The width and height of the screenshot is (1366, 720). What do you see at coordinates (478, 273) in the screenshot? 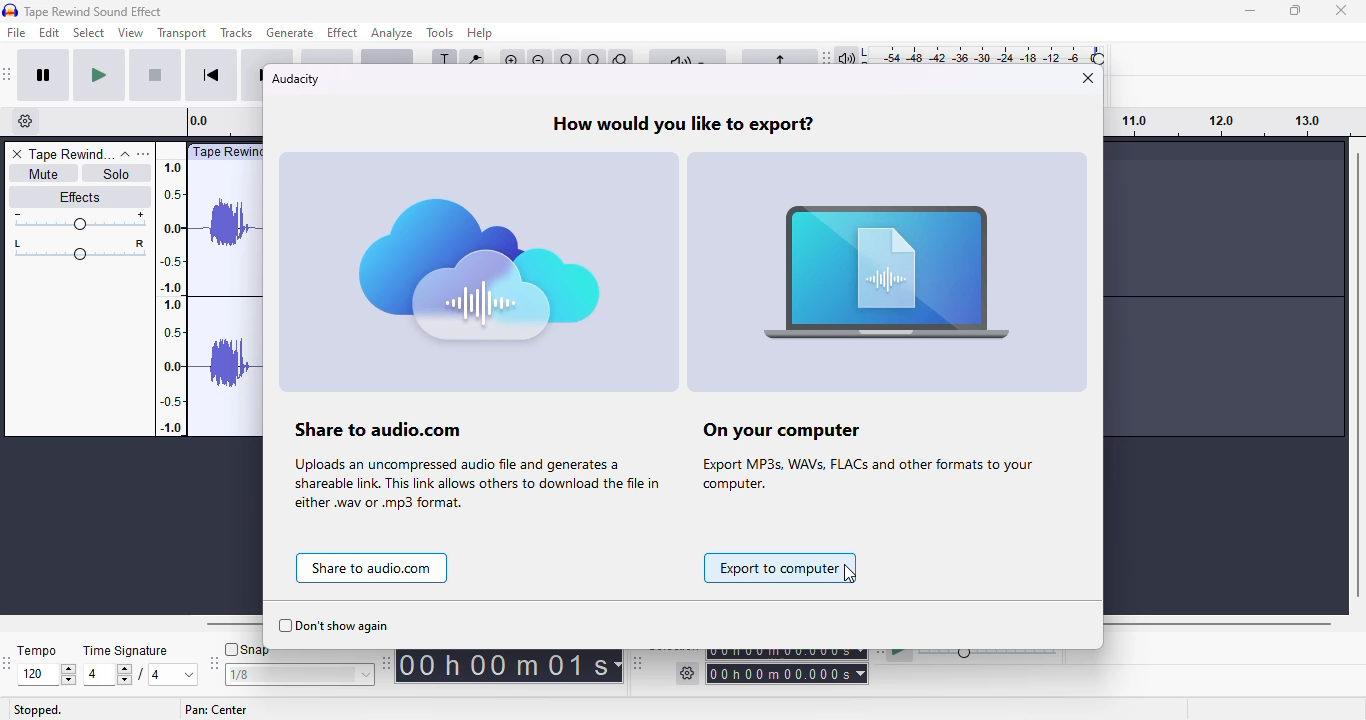
I see `Image` at bounding box center [478, 273].